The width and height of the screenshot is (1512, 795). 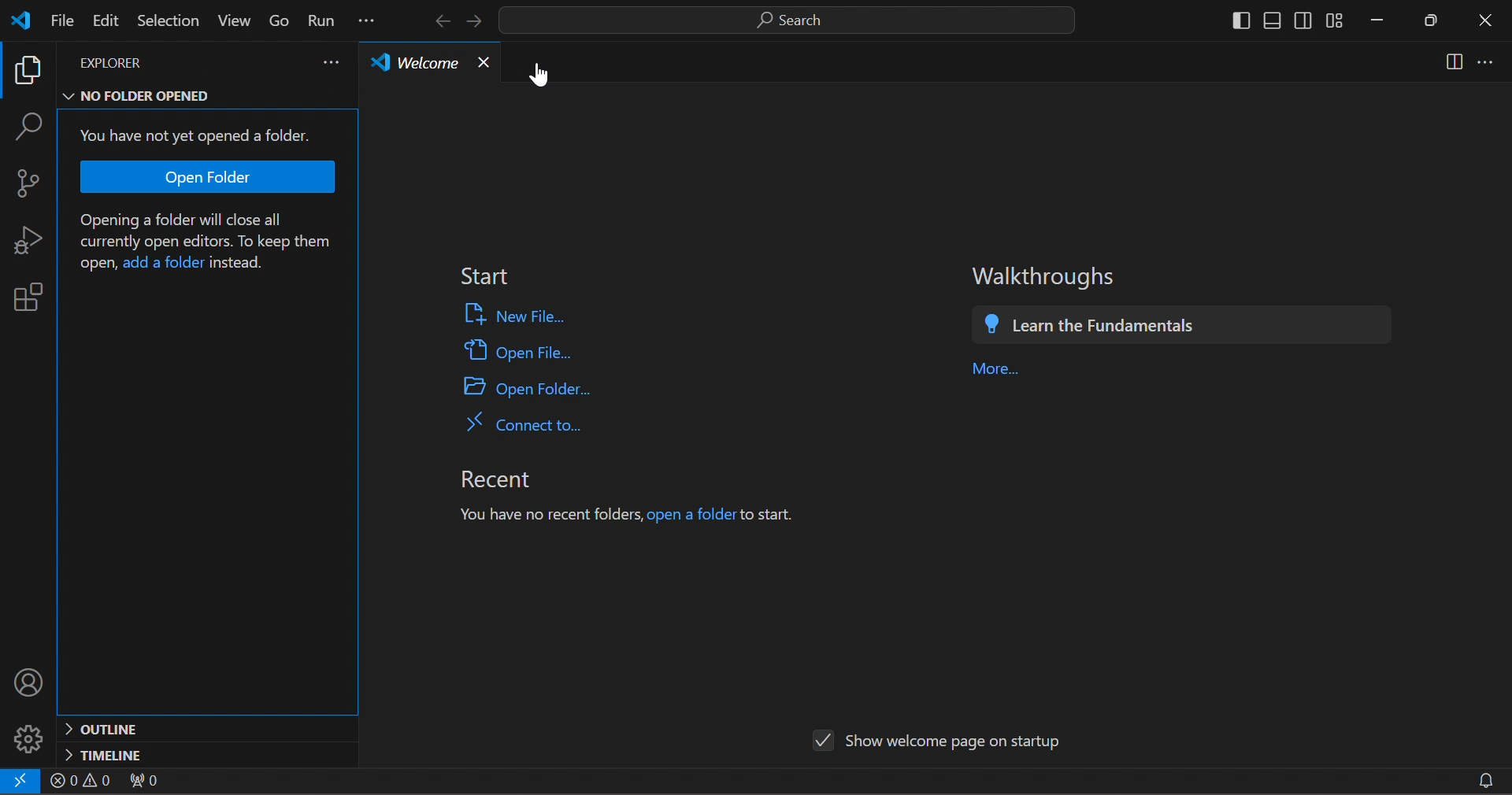 I want to click on more, so click(x=334, y=64).